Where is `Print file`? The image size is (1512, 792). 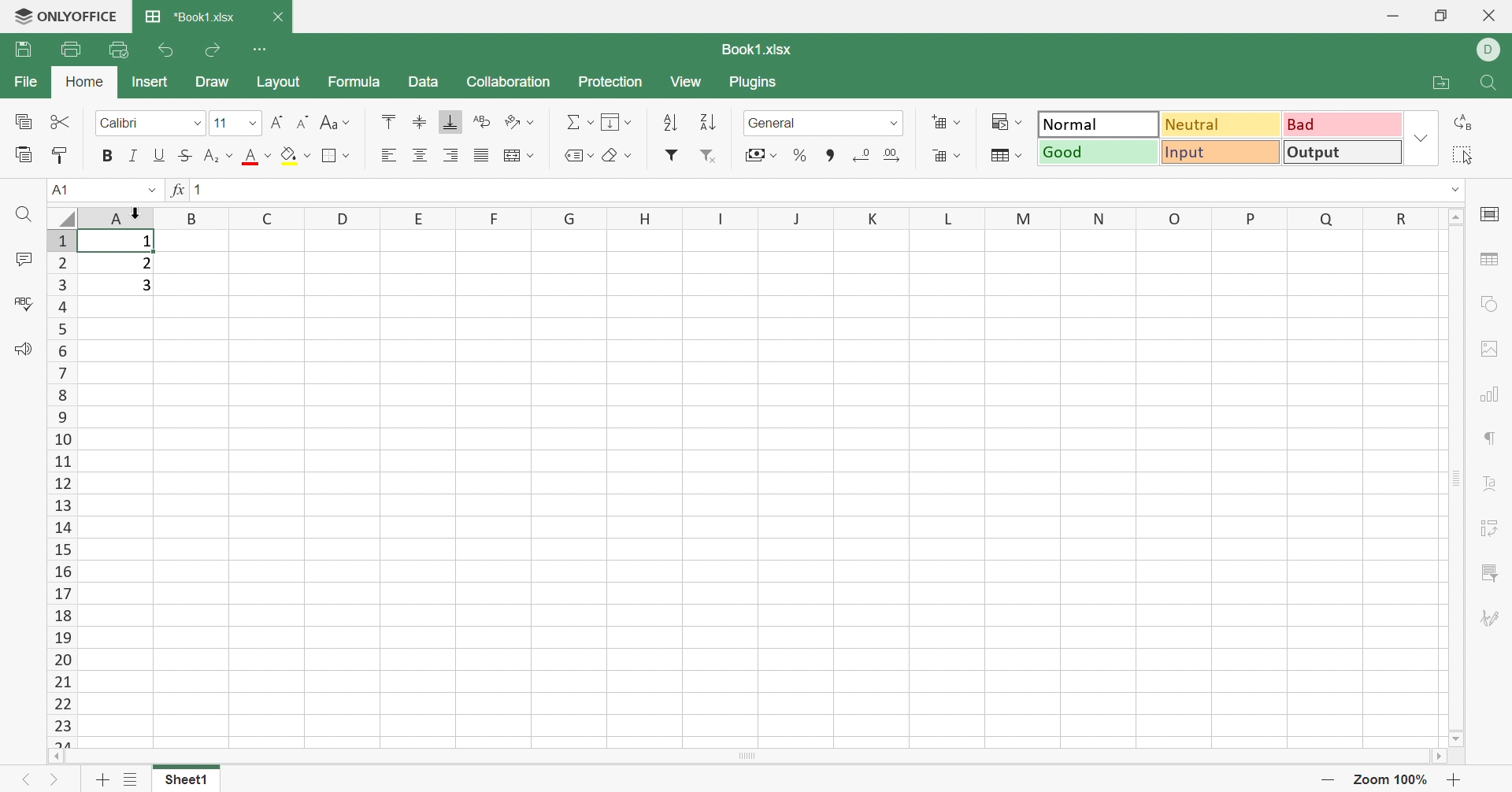 Print file is located at coordinates (72, 50).